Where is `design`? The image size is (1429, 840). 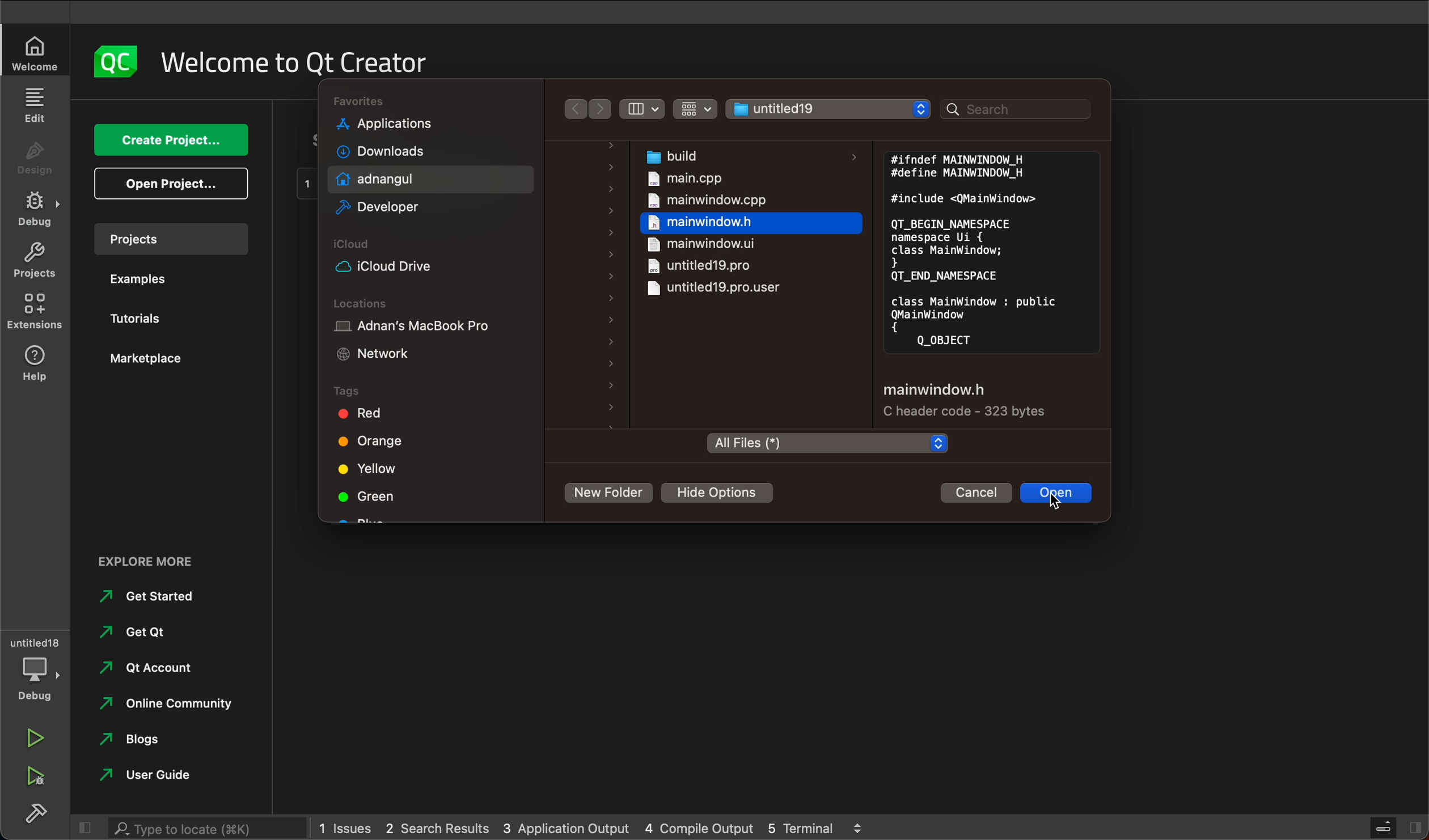 design is located at coordinates (35, 160).